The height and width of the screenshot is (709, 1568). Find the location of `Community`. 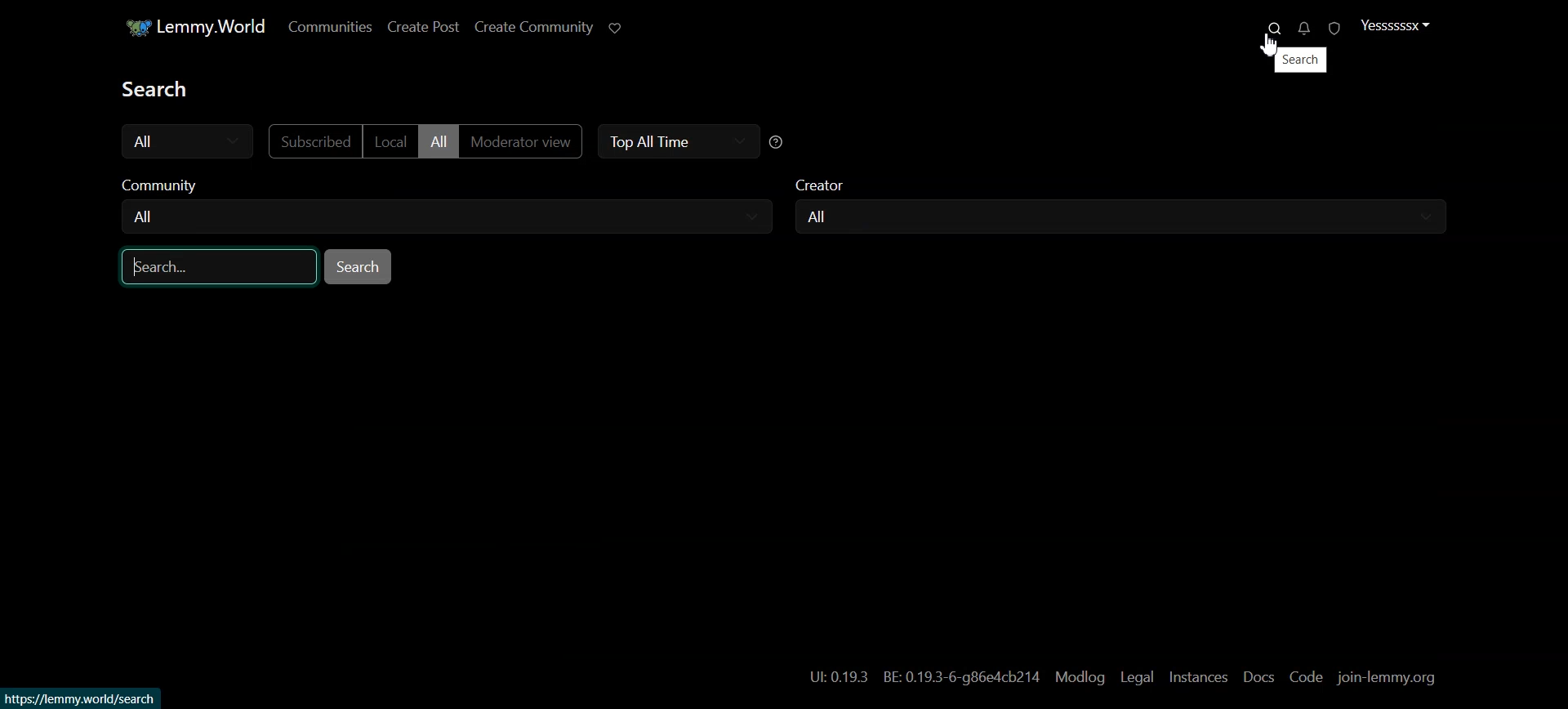

Community is located at coordinates (448, 216).